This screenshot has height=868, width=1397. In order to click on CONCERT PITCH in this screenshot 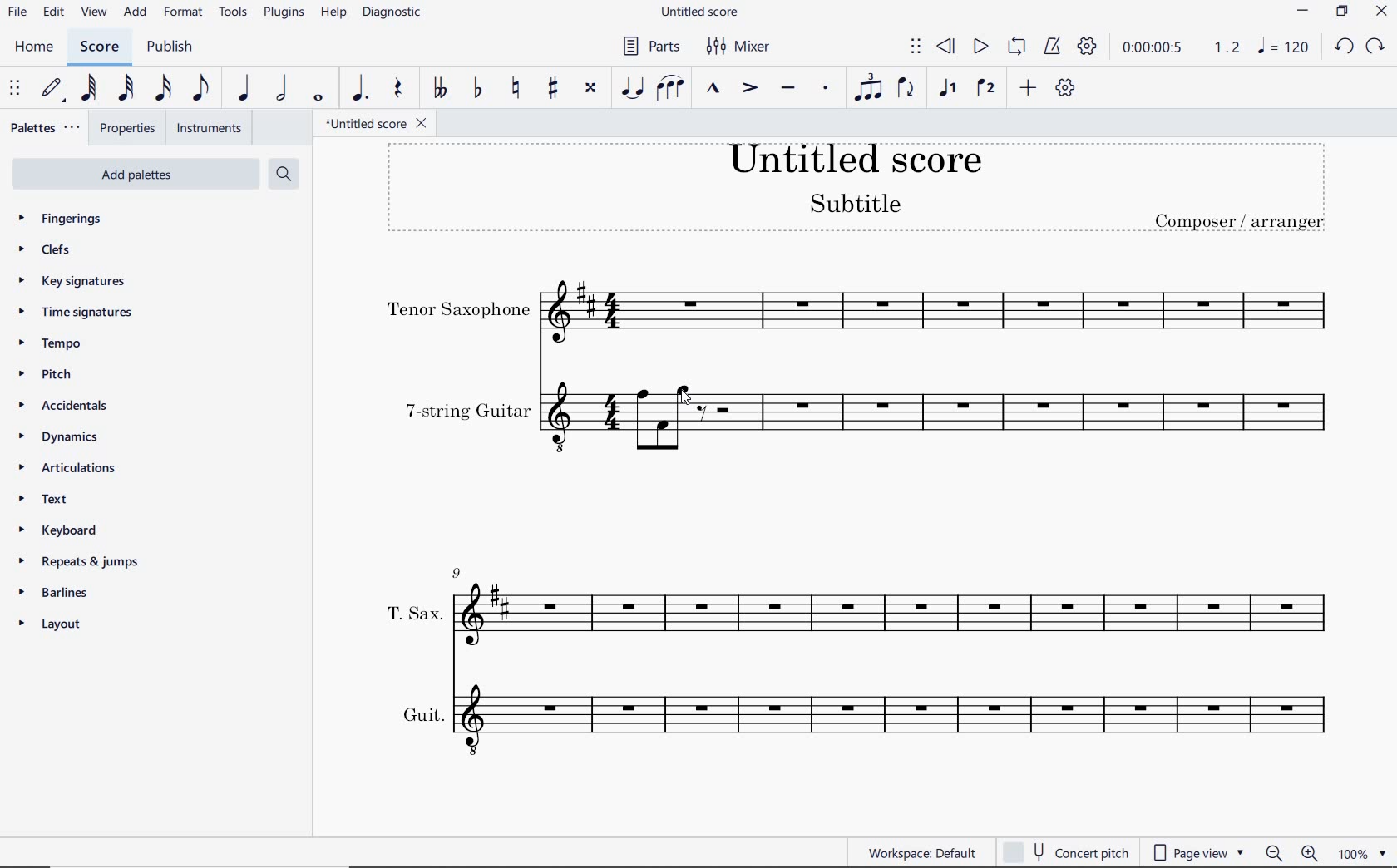, I will do `click(1065, 854)`.